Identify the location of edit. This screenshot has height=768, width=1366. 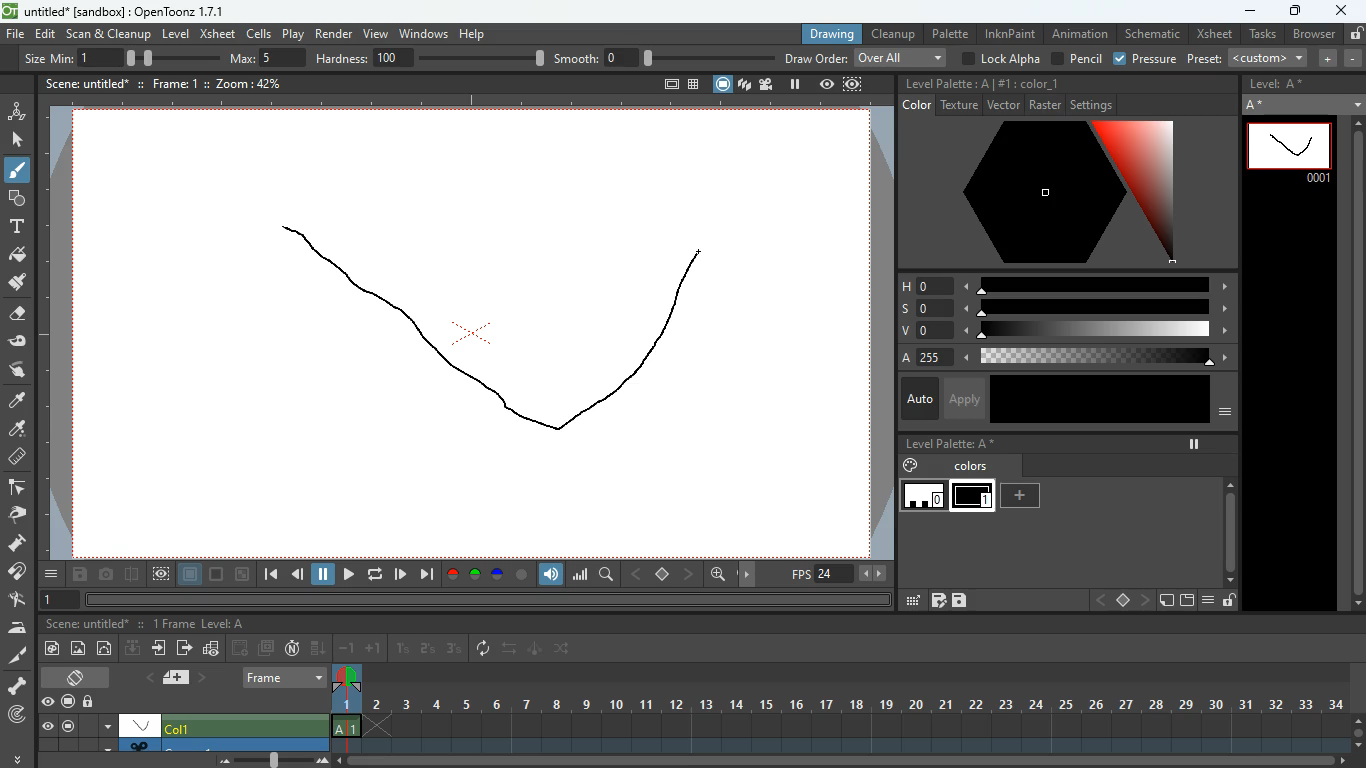
(17, 600).